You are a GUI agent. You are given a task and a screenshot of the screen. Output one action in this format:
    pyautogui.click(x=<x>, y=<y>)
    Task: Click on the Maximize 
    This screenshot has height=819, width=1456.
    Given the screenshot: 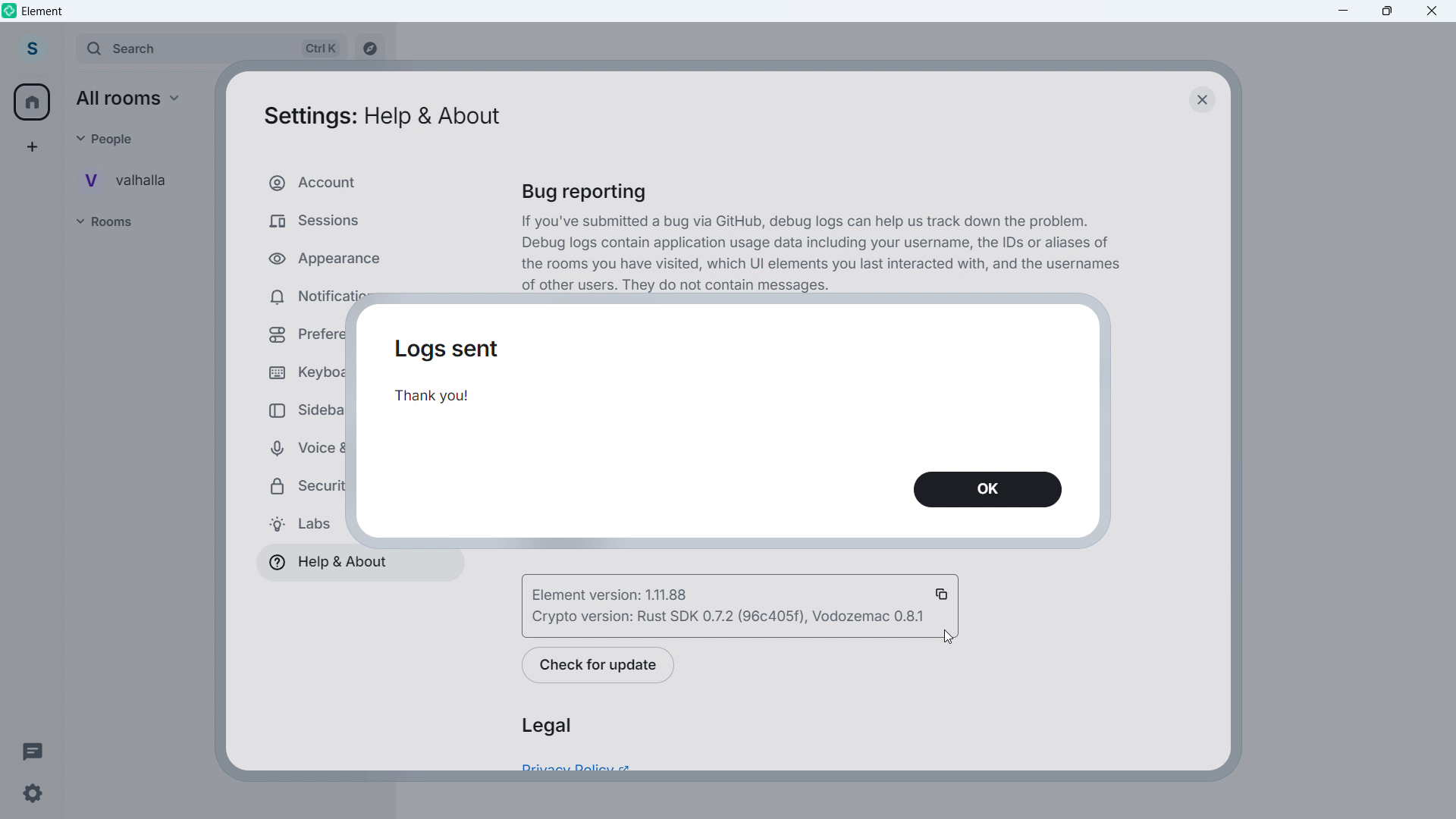 What is the action you would take?
    pyautogui.click(x=1388, y=11)
    